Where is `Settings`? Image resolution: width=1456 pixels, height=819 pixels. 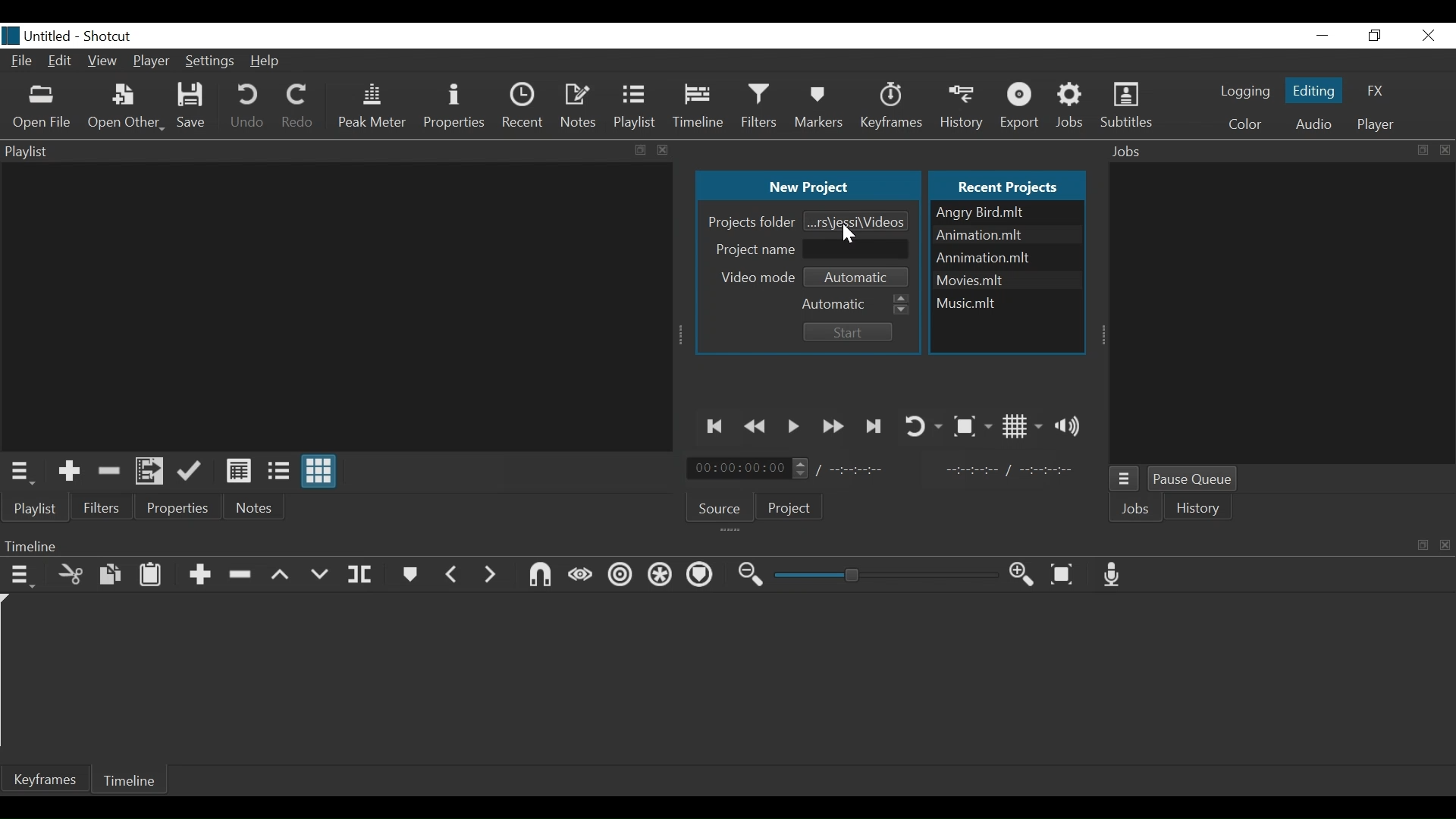 Settings is located at coordinates (208, 63).